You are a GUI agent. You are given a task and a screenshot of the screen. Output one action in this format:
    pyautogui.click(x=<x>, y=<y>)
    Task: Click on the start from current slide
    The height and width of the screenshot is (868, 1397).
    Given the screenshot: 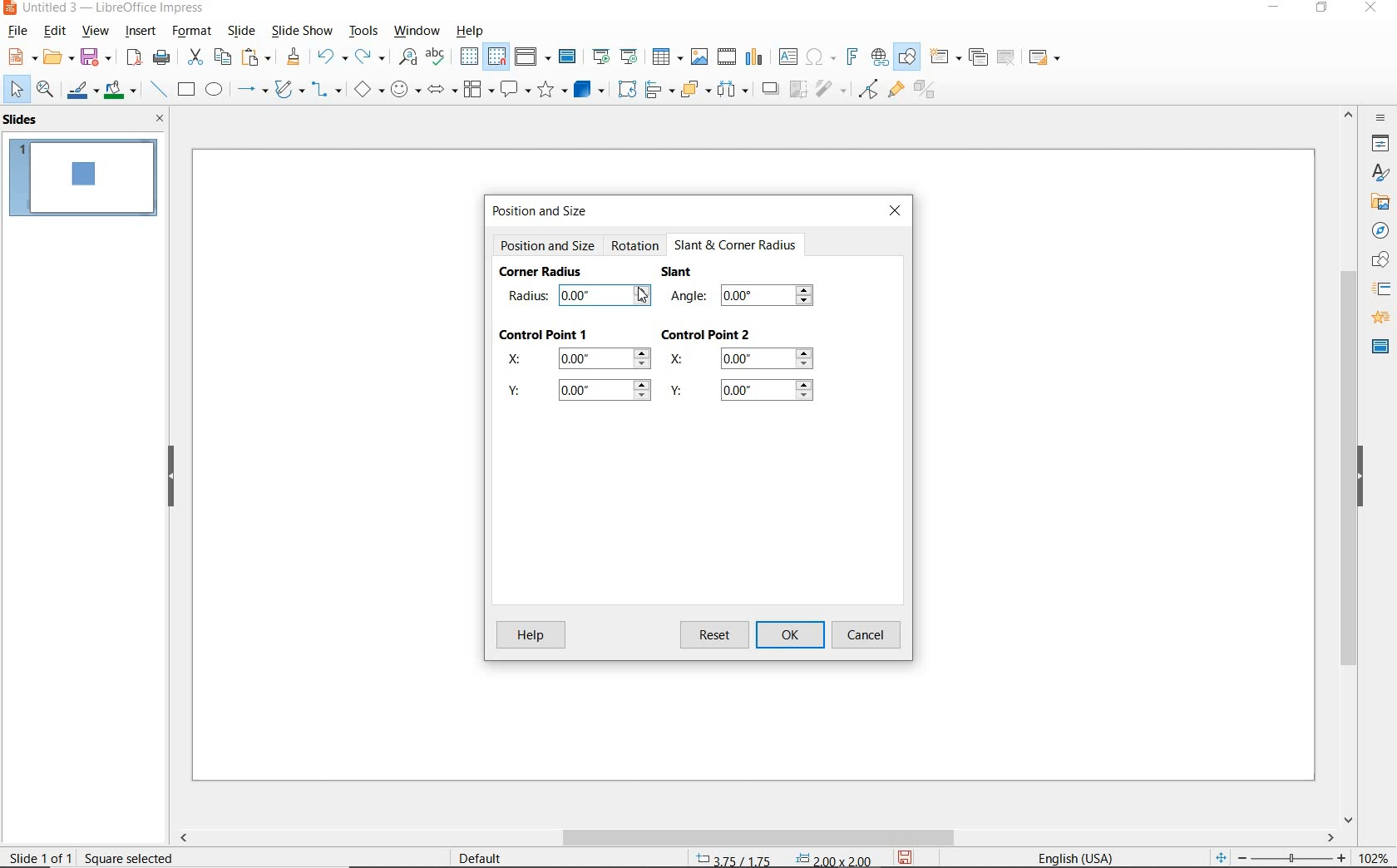 What is the action you would take?
    pyautogui.click(x=630, y=57)
    